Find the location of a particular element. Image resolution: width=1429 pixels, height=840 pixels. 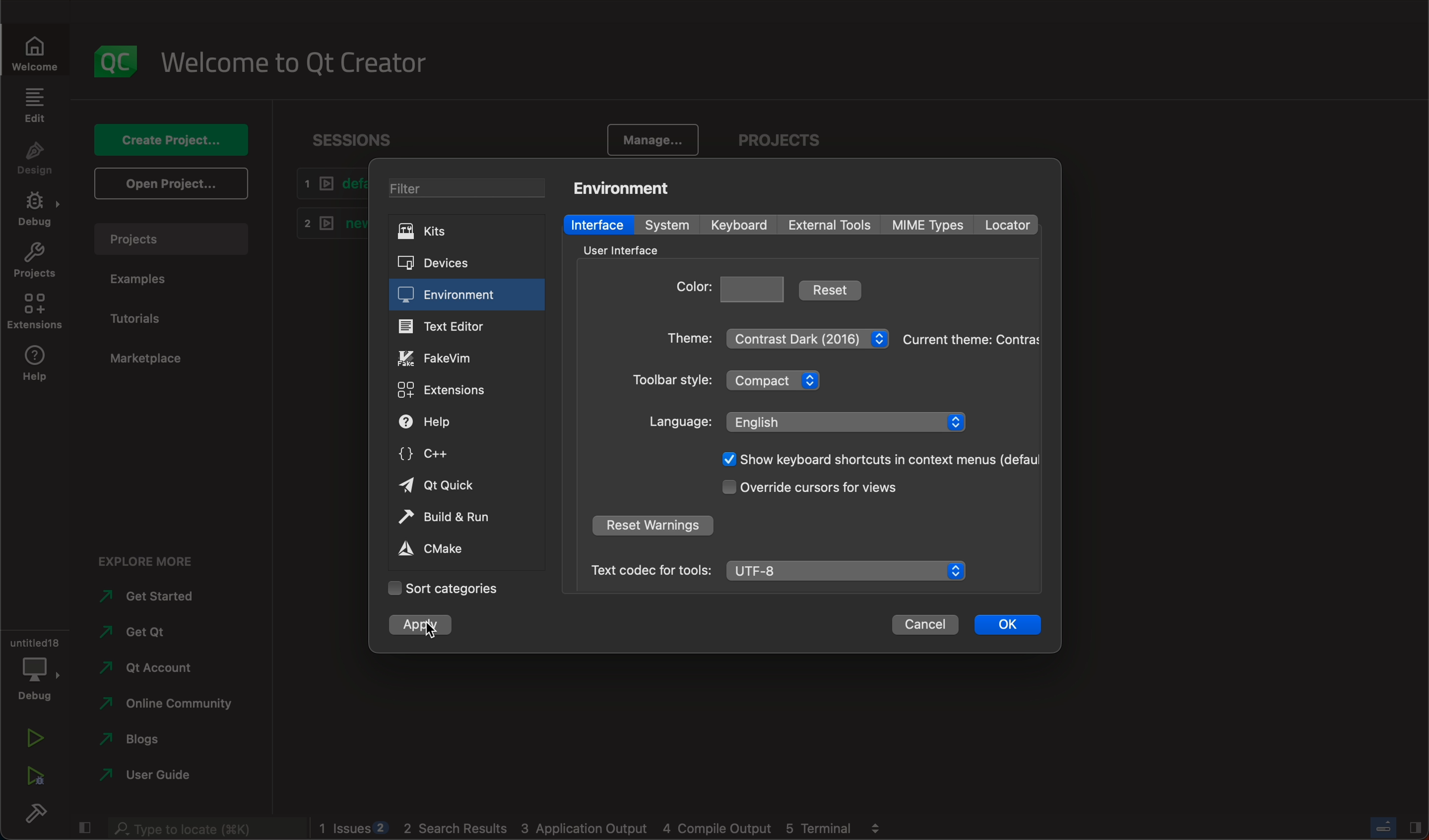

 is located at coordinates (202, 829).